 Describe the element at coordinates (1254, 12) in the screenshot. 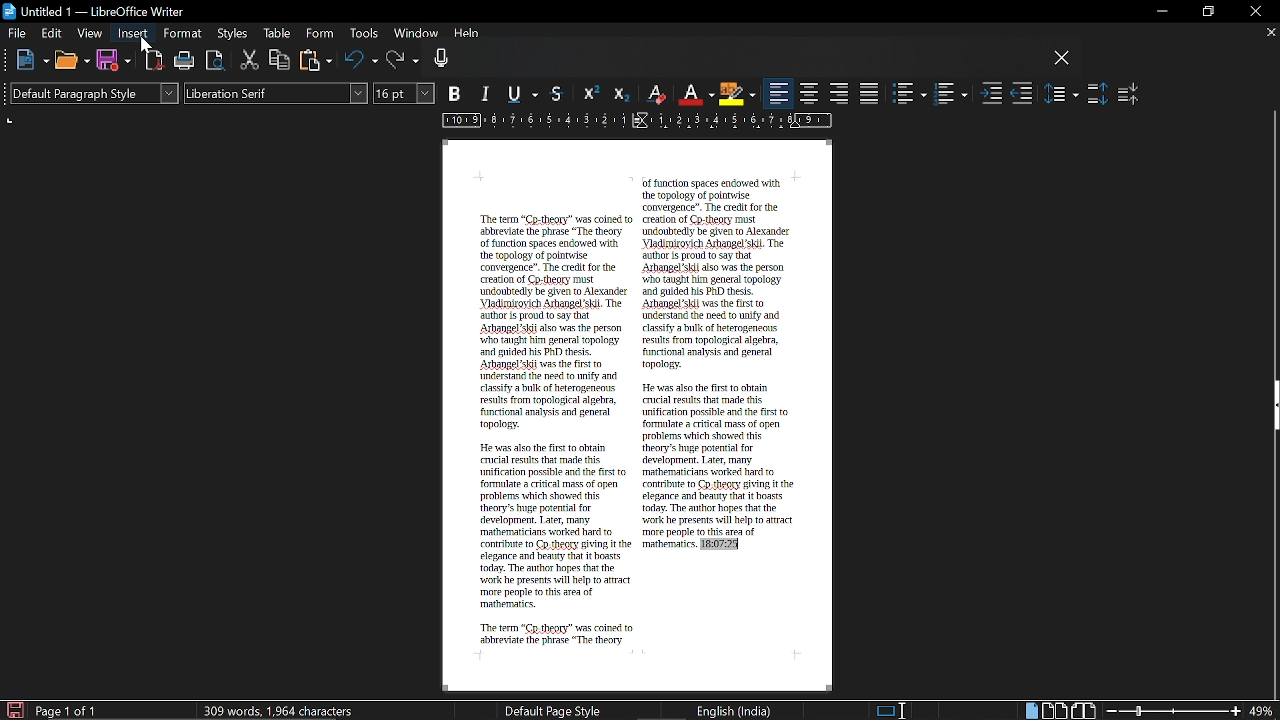

I see `Close` at that location.